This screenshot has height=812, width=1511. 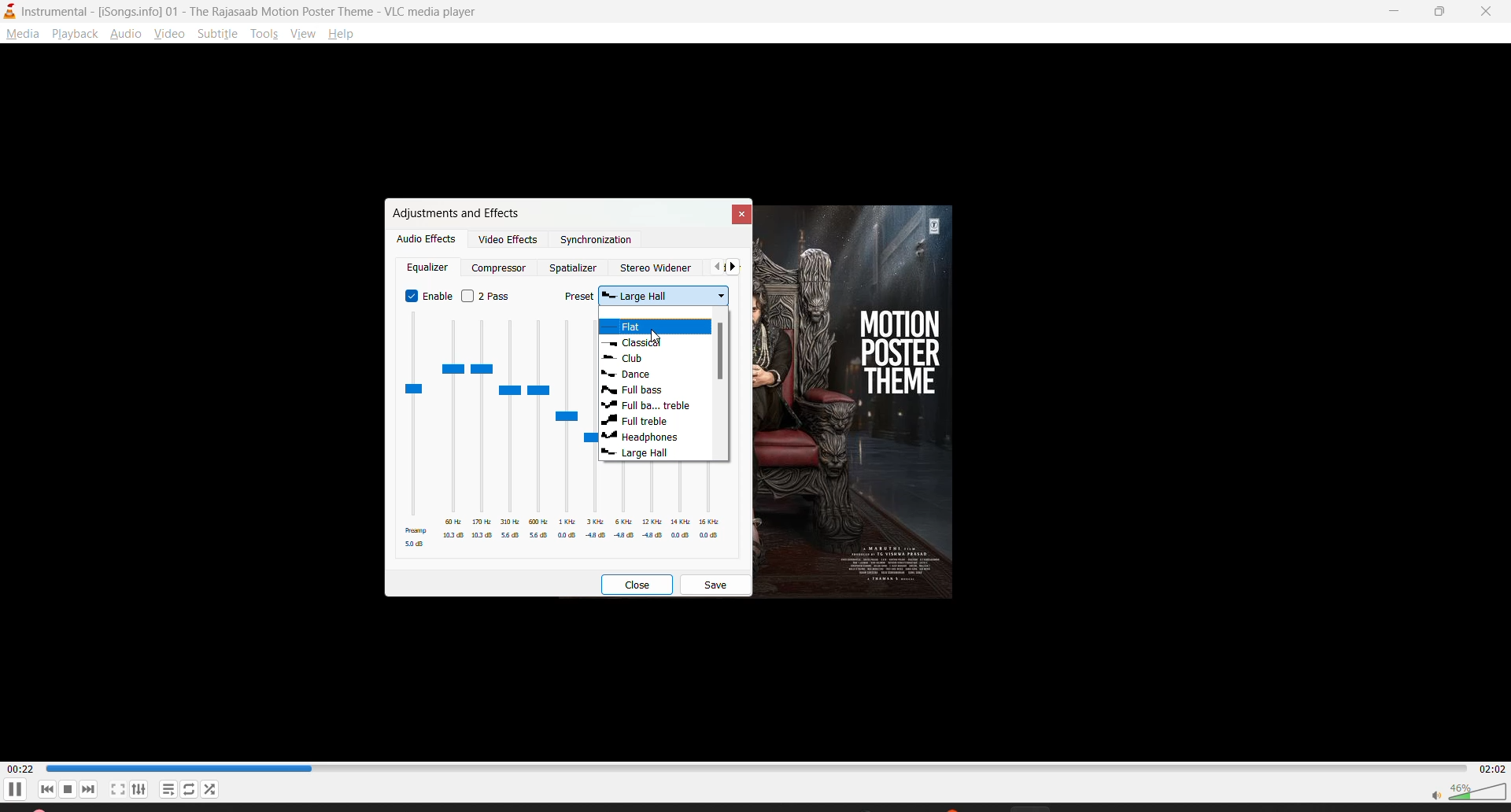 What do you see at coordinates (638, 328) in the screenshot?
I see `flat` at bounding box center [638, 328].